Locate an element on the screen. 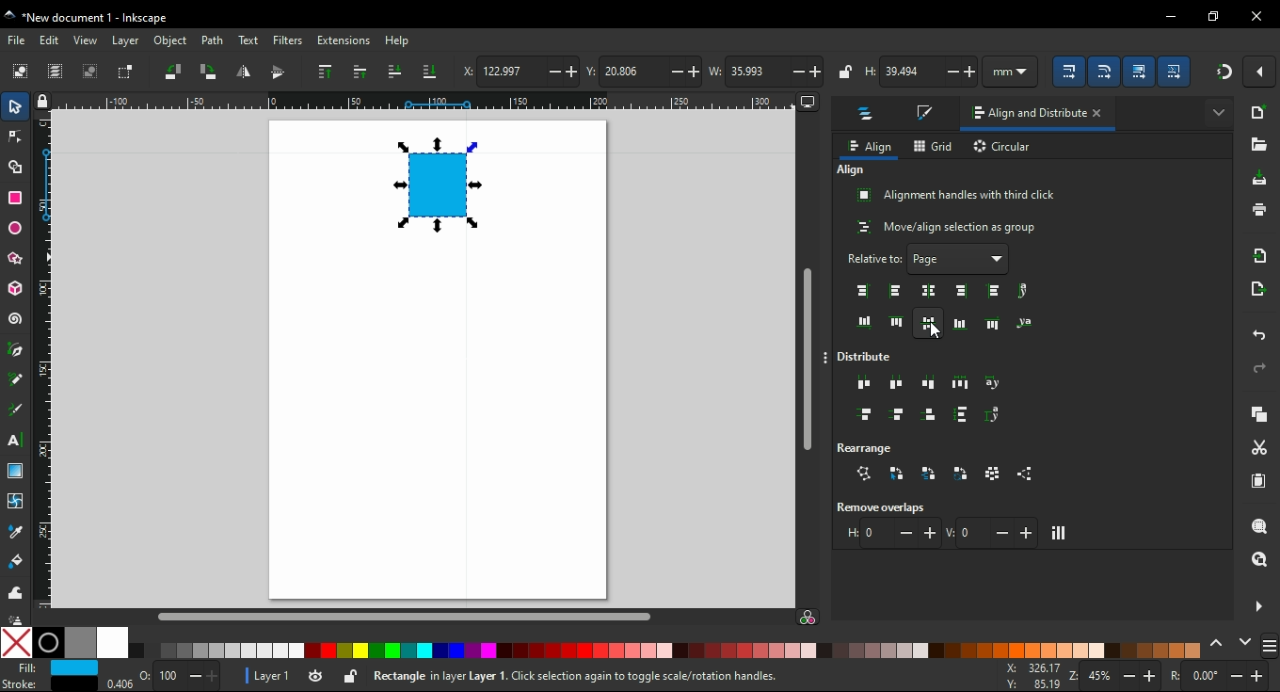 The height and width of the screenshot is (692, 1280). vertical ruler is located at coordinates (48, 359).